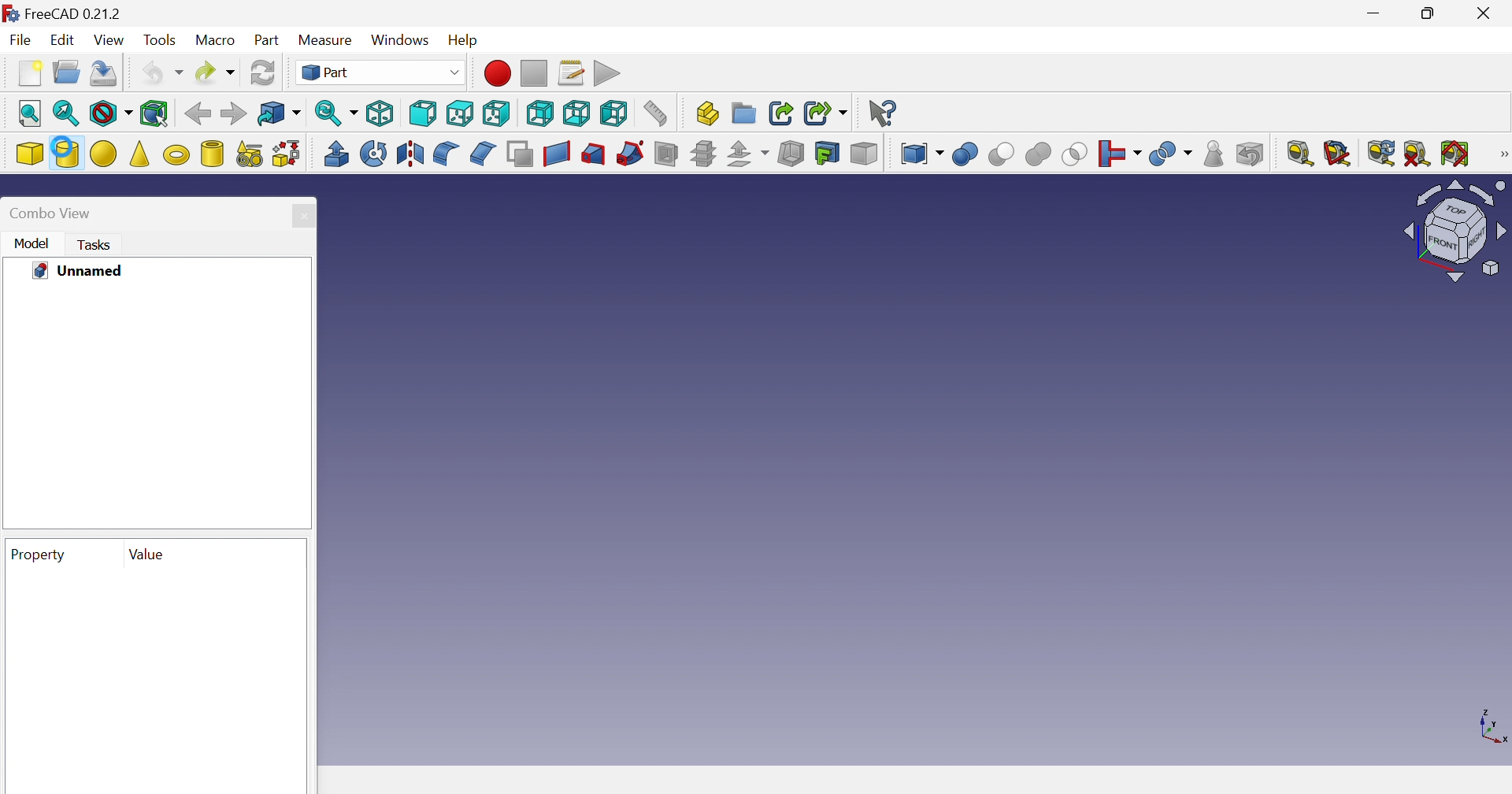 The height and width of the screenshot is (794, 1512). I want to click on Chamfer, so click(484, 154).